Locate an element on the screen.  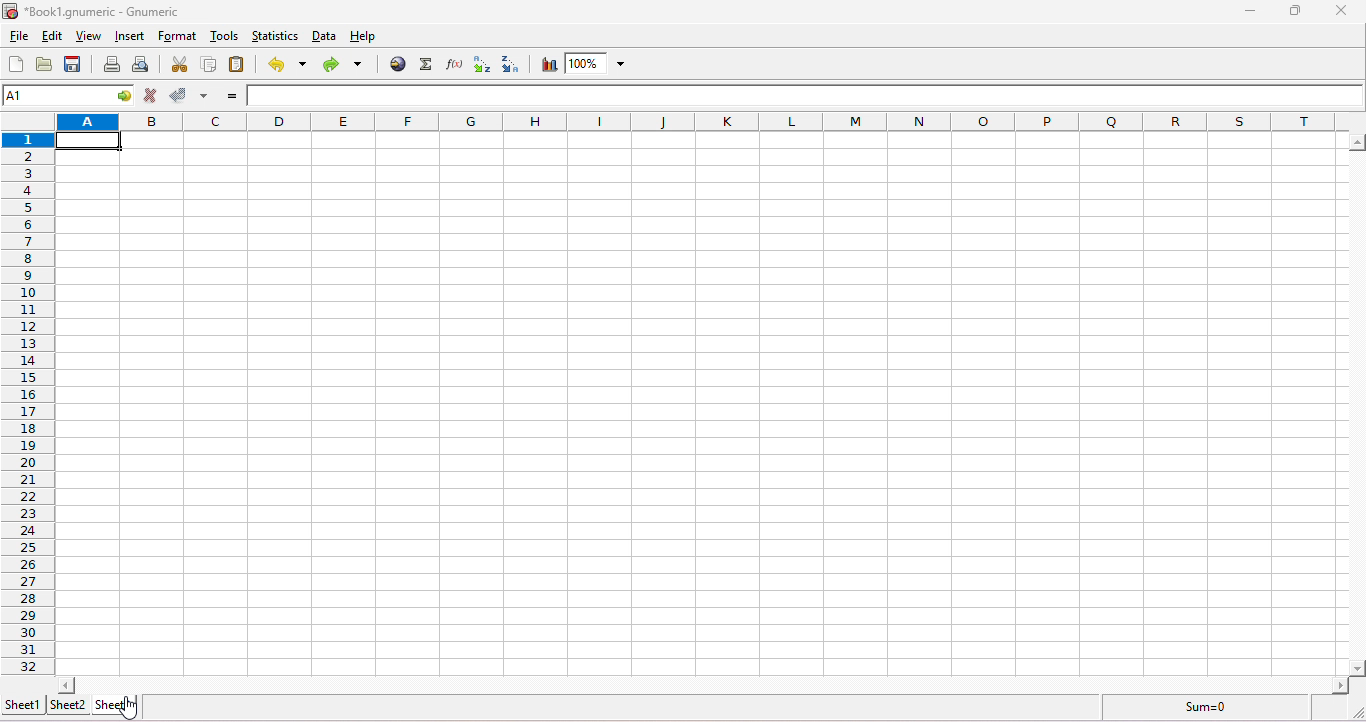
sum =0 is located at coordinates (1221, 710).